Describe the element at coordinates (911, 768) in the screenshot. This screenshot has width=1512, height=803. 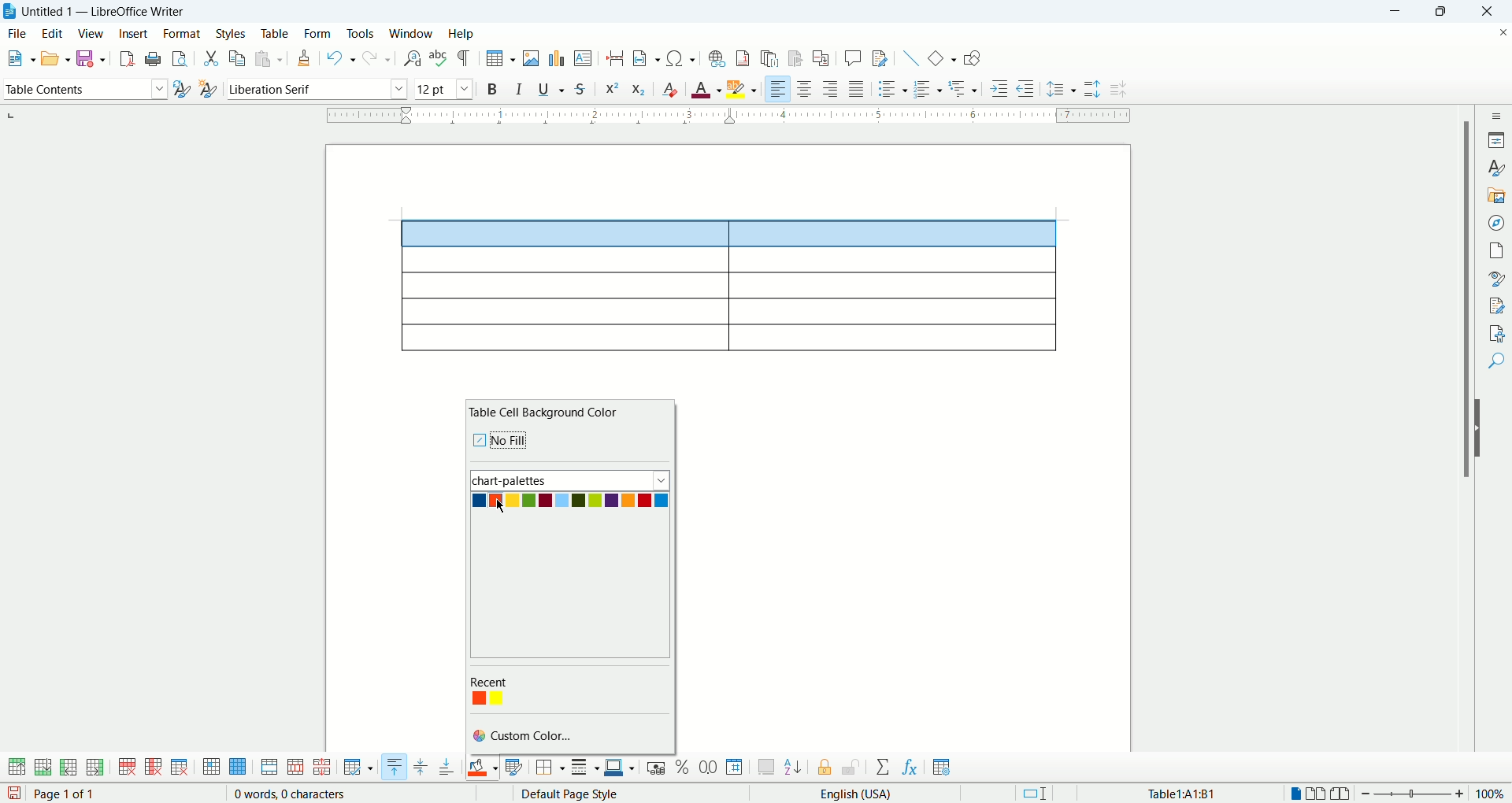
I see `insert formula` at that location.